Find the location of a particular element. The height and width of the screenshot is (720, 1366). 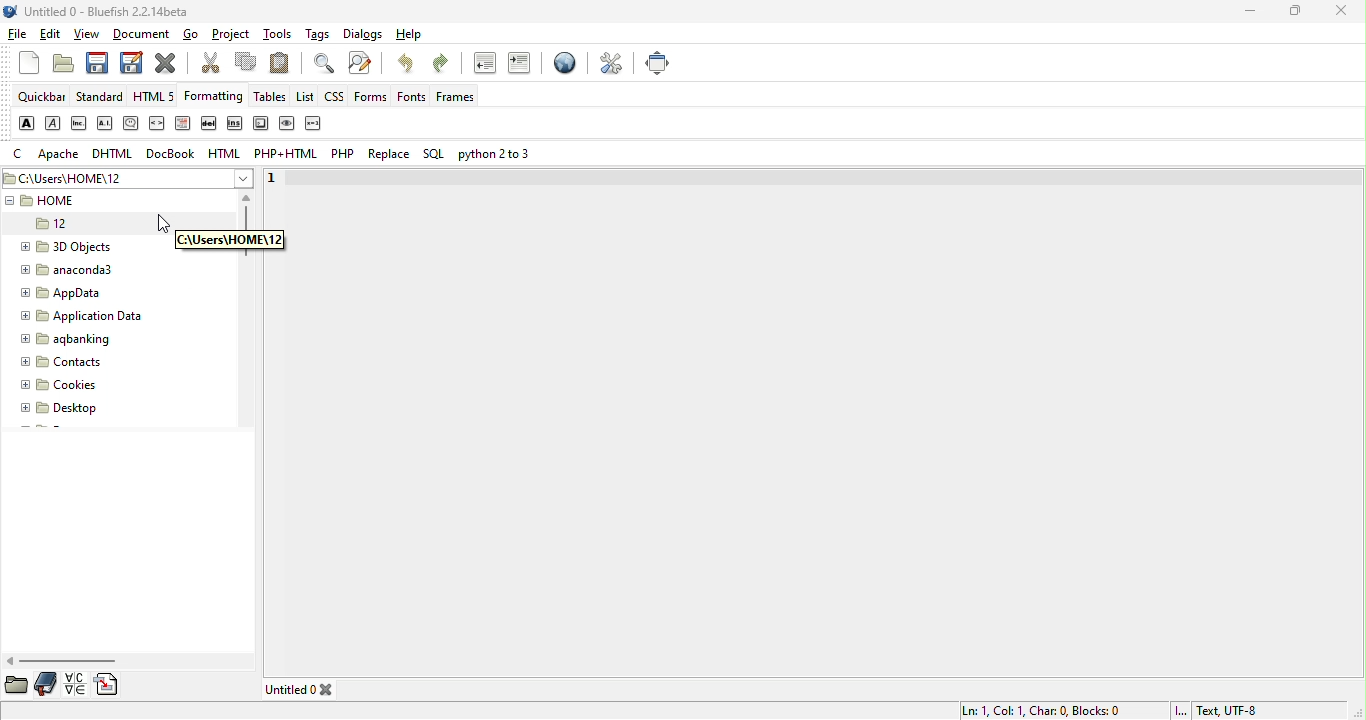

dialogs is located at coordinates (362, 35).